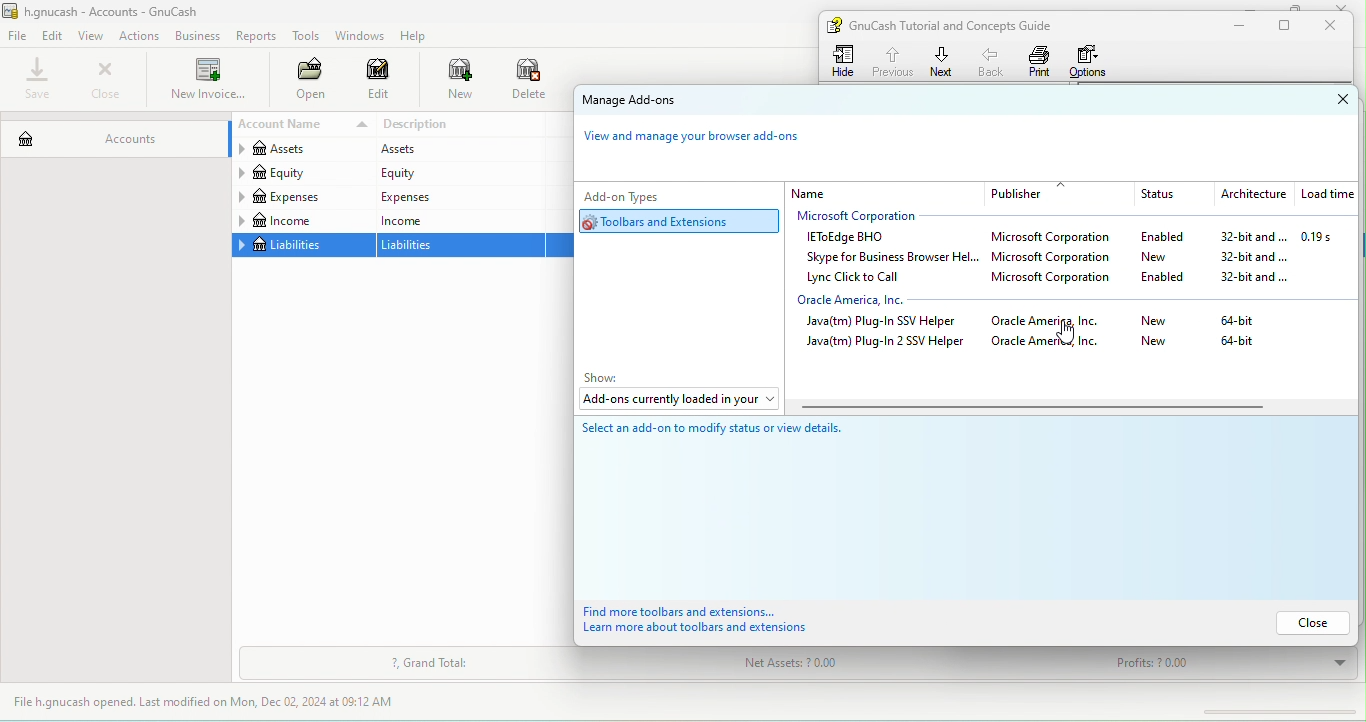 This screenshot has width=1366, height=722. Describe the element at coordinates (1170, 276) in the screenshot. I see `enabled` at that location.